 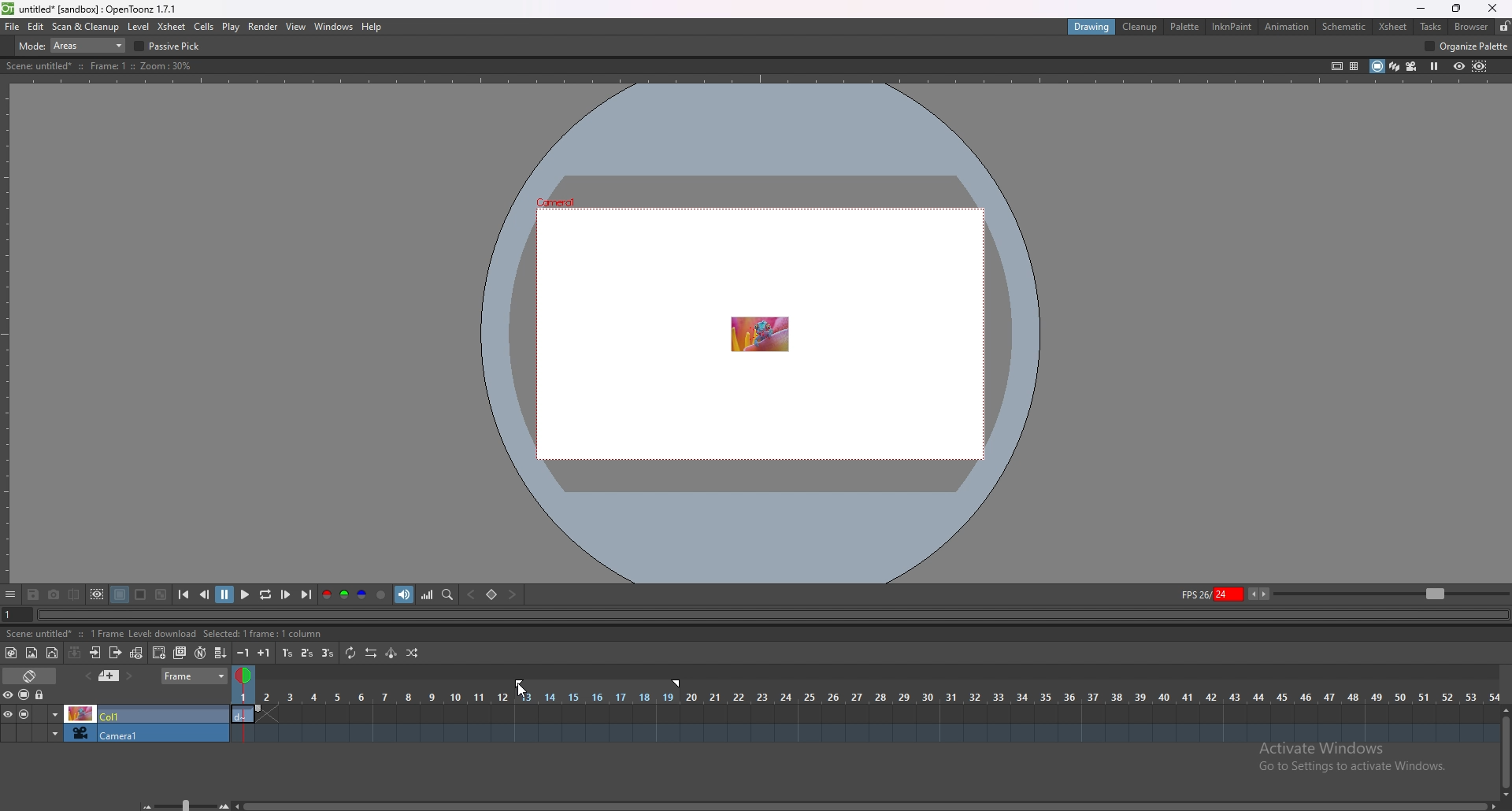 What do you see at coordinates (167, 634) in the screenshot?
I see `description` at bounding box center [167, 634].